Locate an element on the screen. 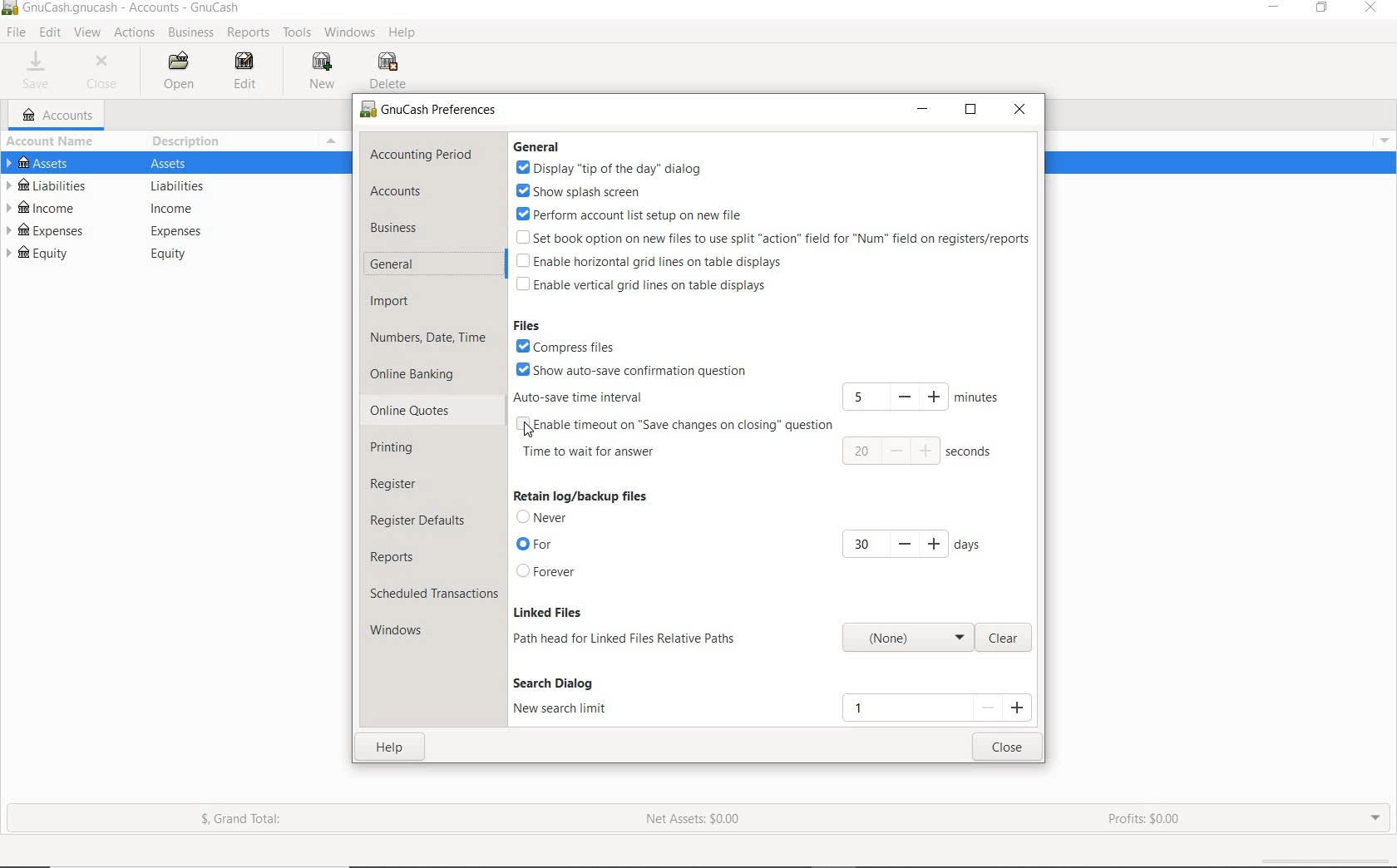 Image resolution: width=1397 pixels, height=868 pixels. VIEW is located at coordinates (88, 33).